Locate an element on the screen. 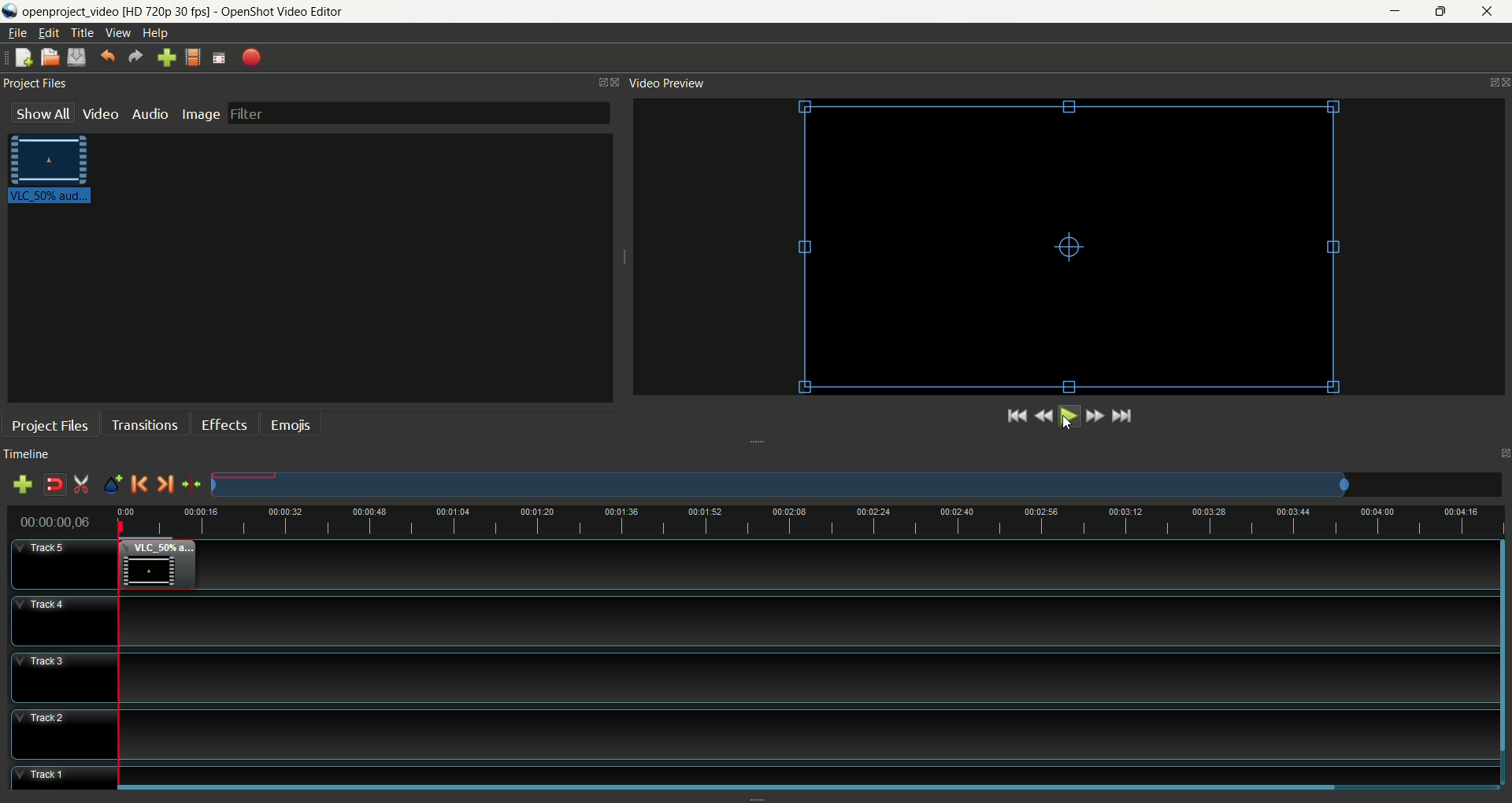 This screenshot has height=803, width=1512. effects is located at coordinates (224, 422).